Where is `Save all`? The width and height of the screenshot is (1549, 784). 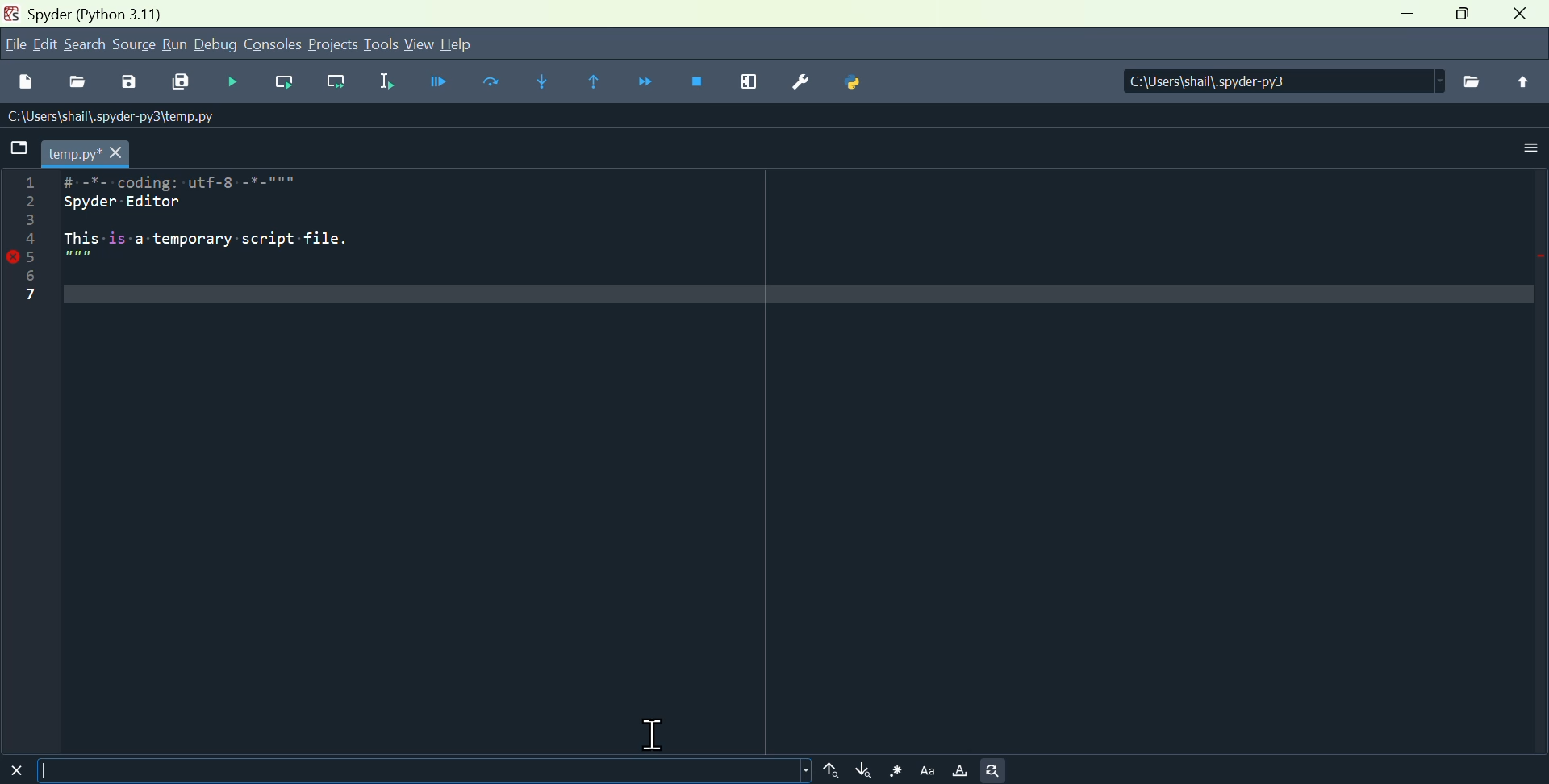 Save all is located at coordinates (186, 83).